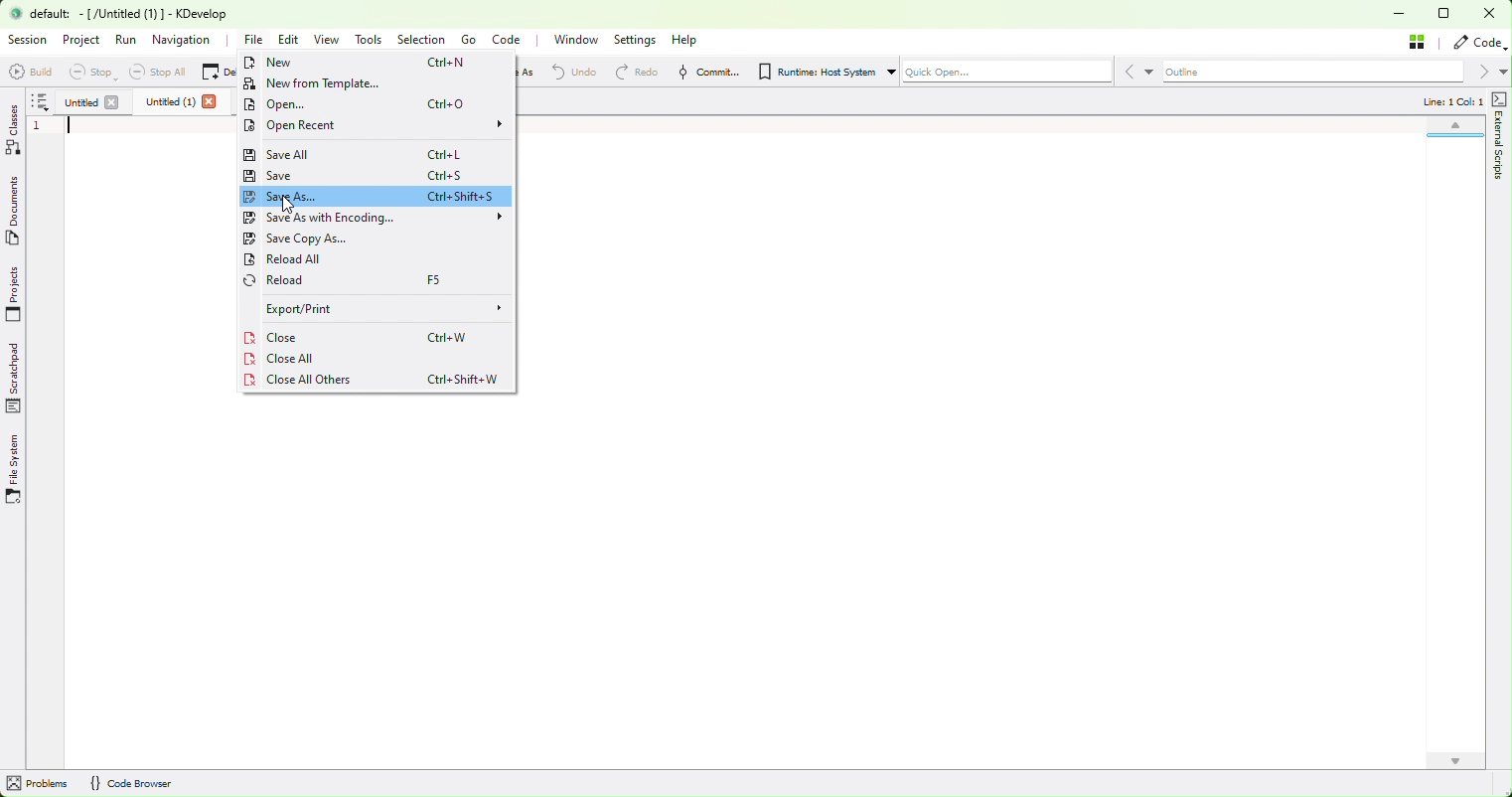 This screenshot has height=797, width=1512. Describe the element at coordinates (1500, 137) in the screenshot. I see `external scripts` at that location.